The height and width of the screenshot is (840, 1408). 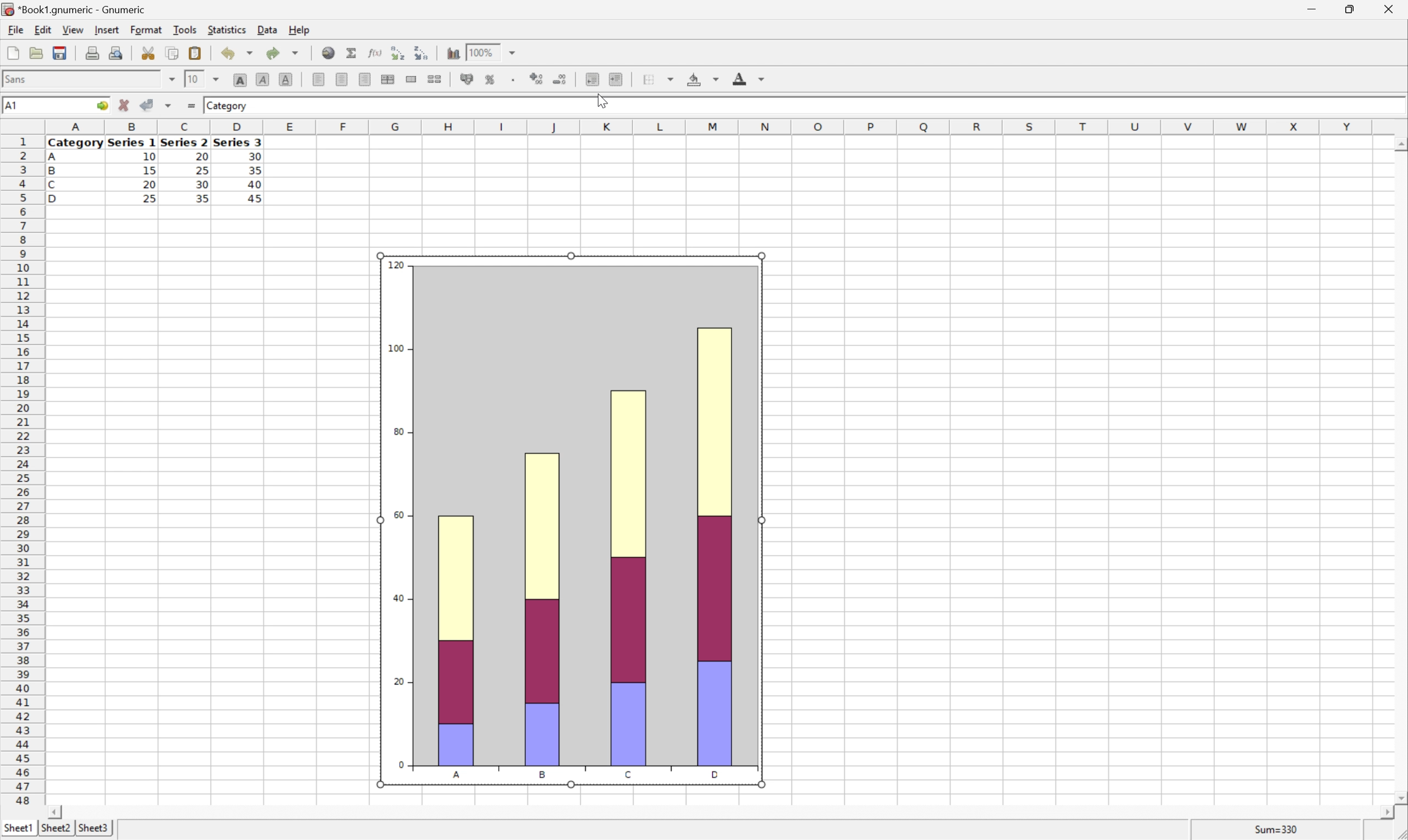 What do you see at coordinates (514, 52) in the screenshot?
I see `Drop Down` at bounding box center [514, 52].